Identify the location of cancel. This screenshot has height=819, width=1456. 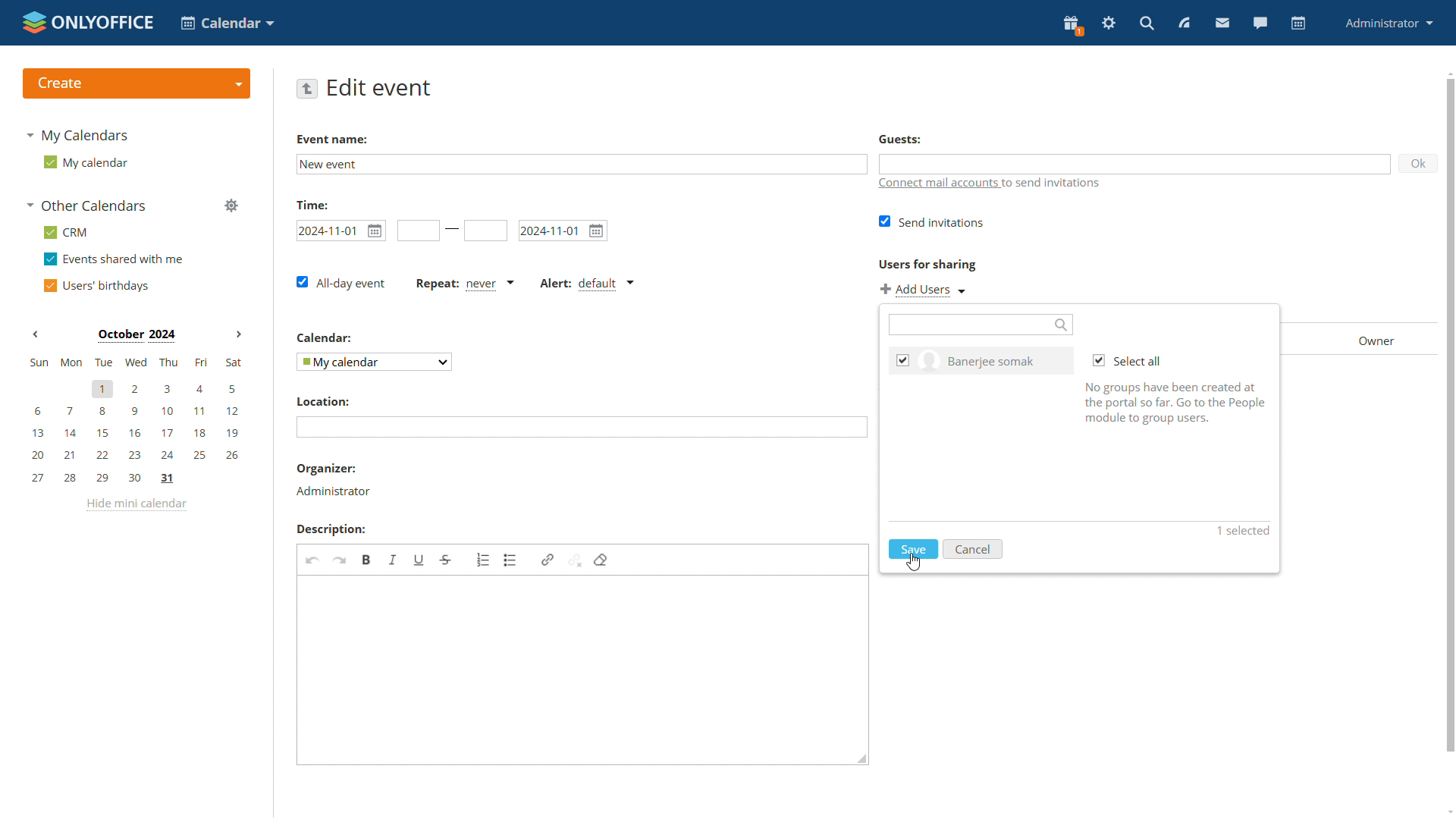
(971, 548).